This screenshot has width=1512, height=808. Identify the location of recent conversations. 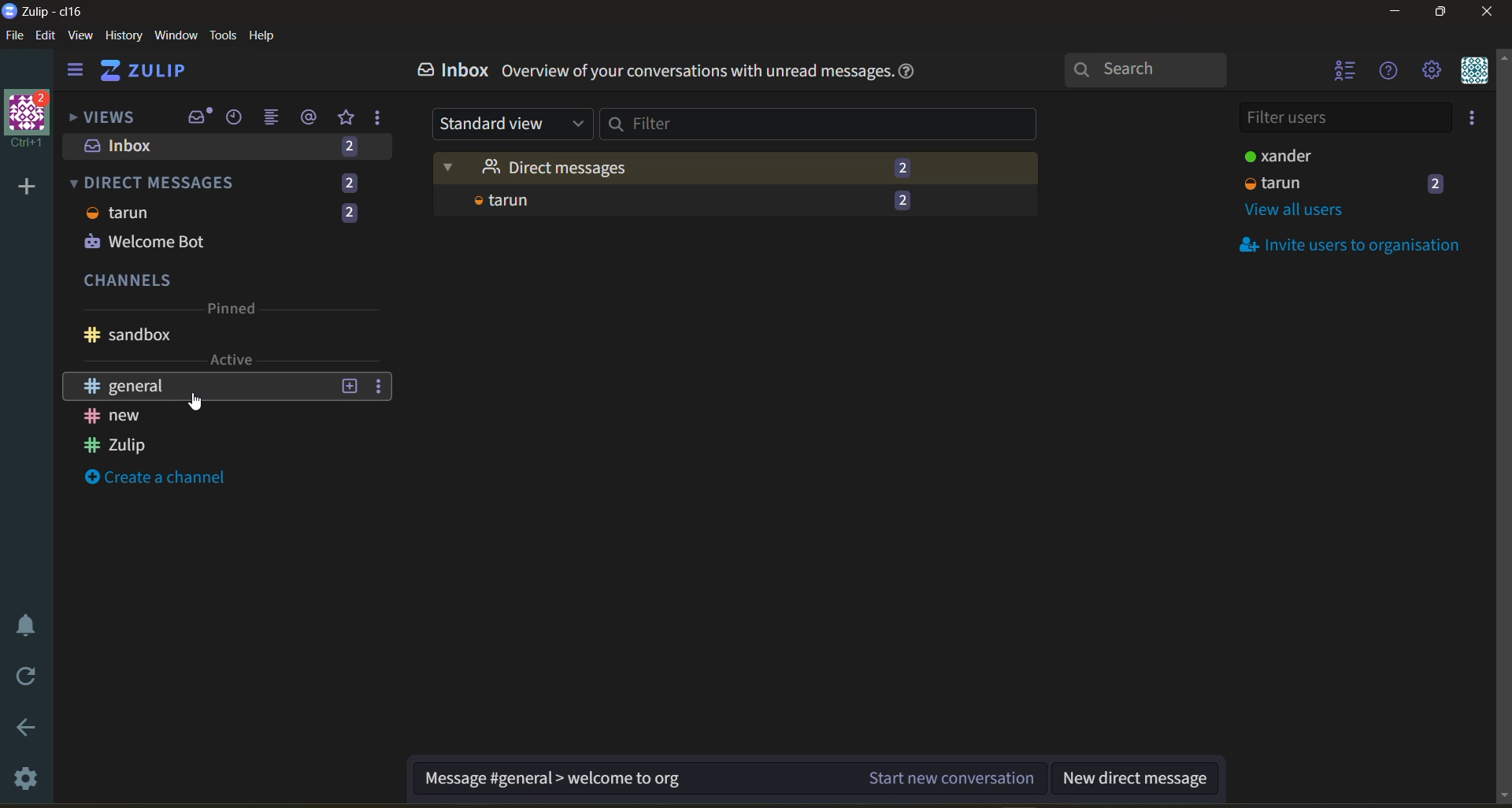
(239, 119).